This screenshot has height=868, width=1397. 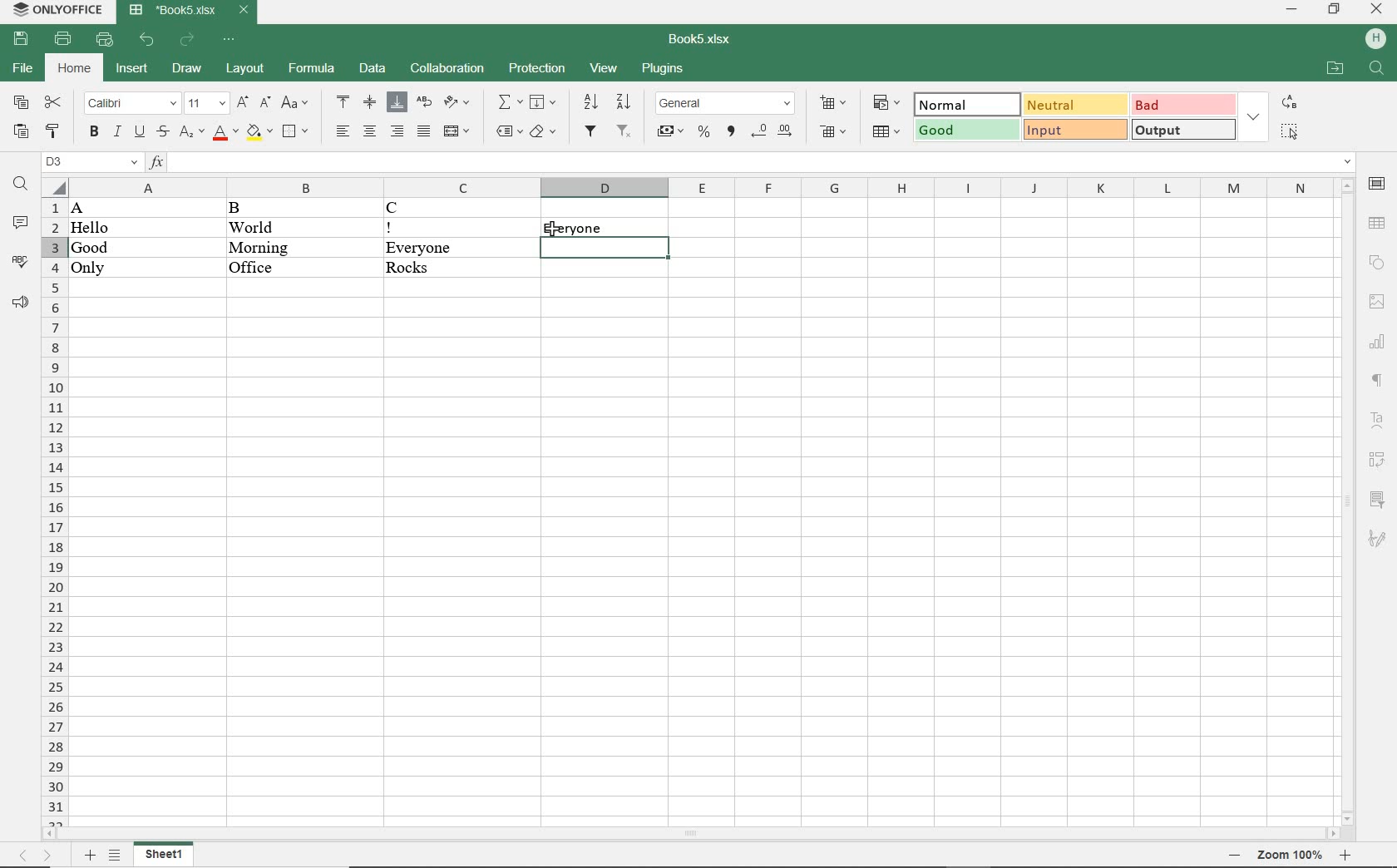 I want to click on add sheet, so click(x=89, y=854).